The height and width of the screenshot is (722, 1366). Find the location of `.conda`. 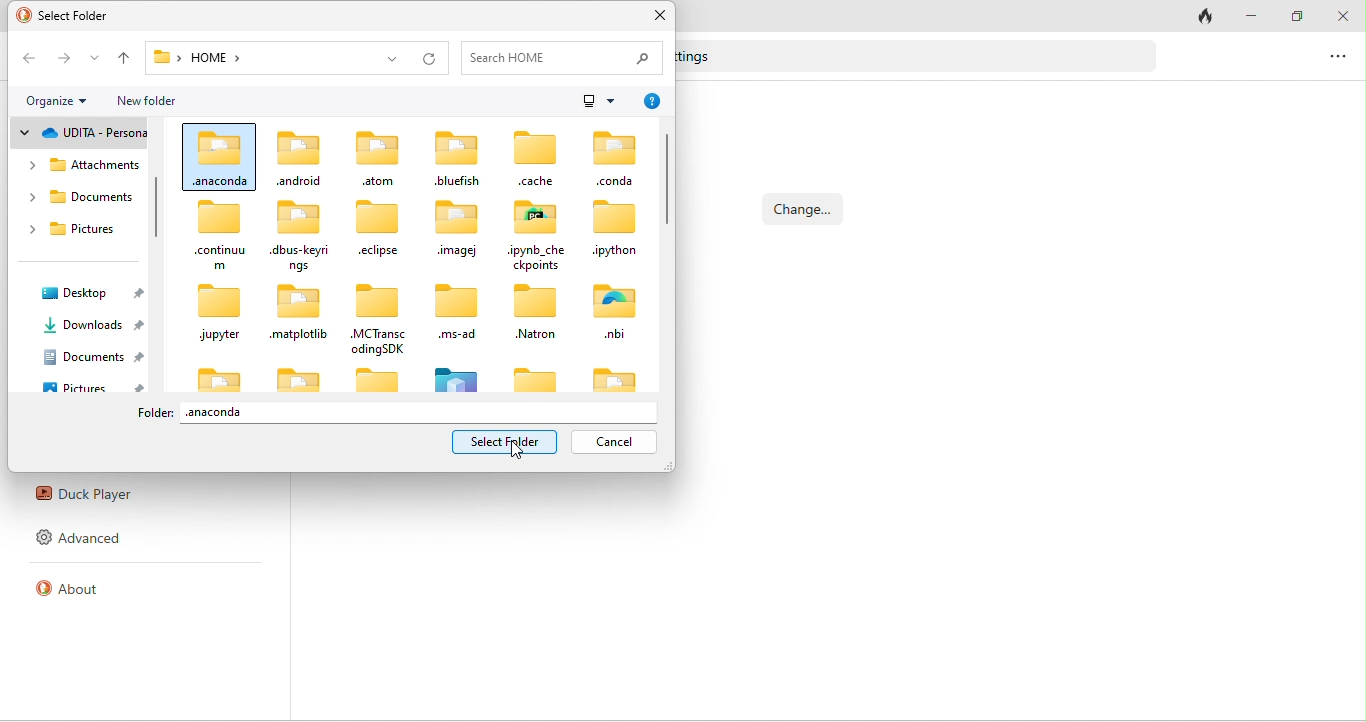

.conda is located at coordinates (616, 158).